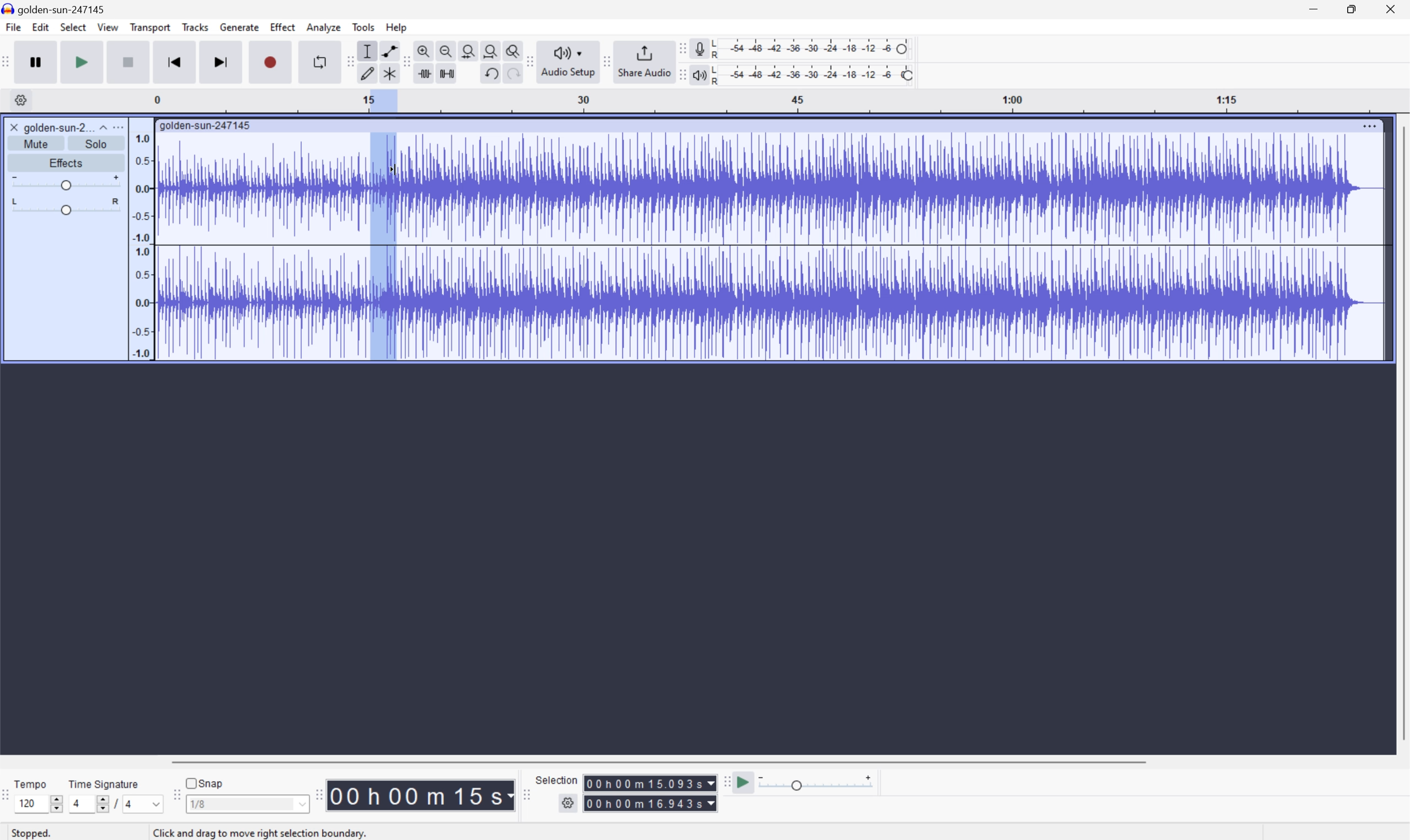 Image resolution: width=1410 pixels, height=840 pixels. What do you see at coordinates (241, 27) in the screenshot?
I see `Generate` at bounding box center [241, 27].